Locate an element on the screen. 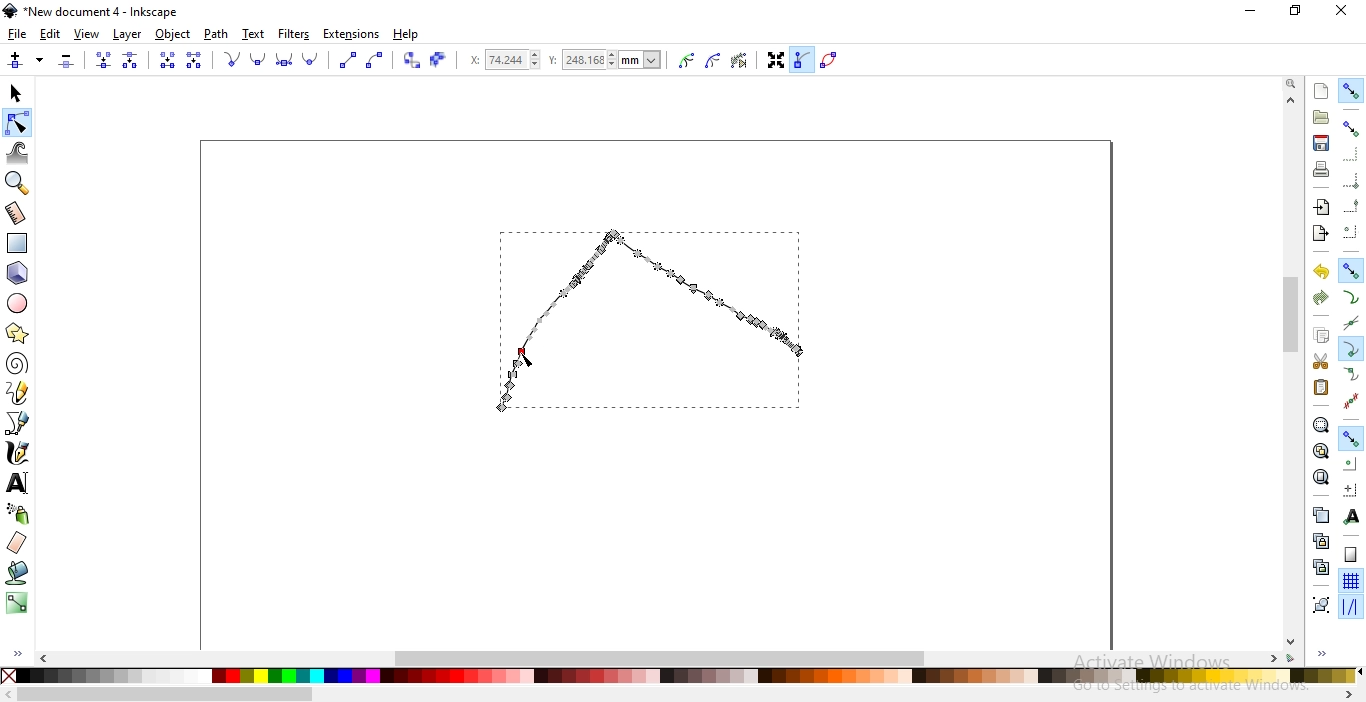 This screenshot has height=702, width=1366. open an existing document is located at coordinates (1321, 117).